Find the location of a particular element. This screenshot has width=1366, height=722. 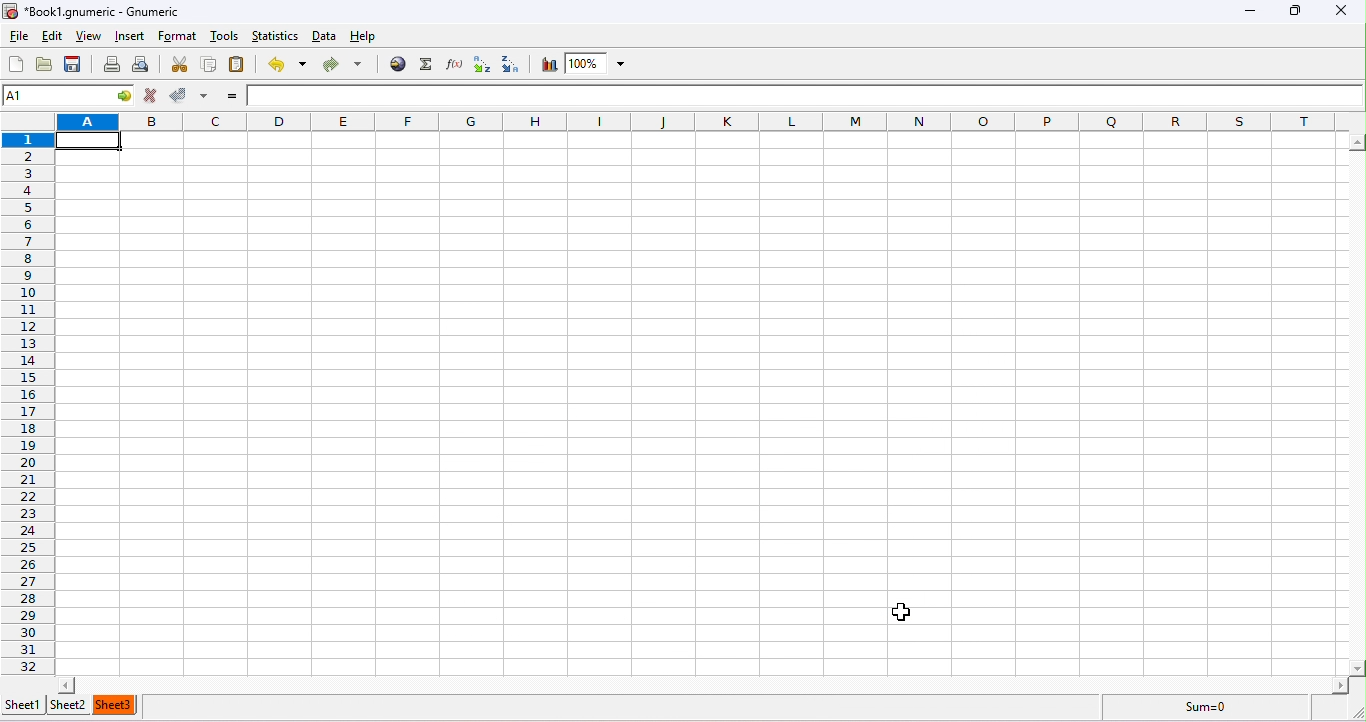

cut is located at coordinates (178, 65).